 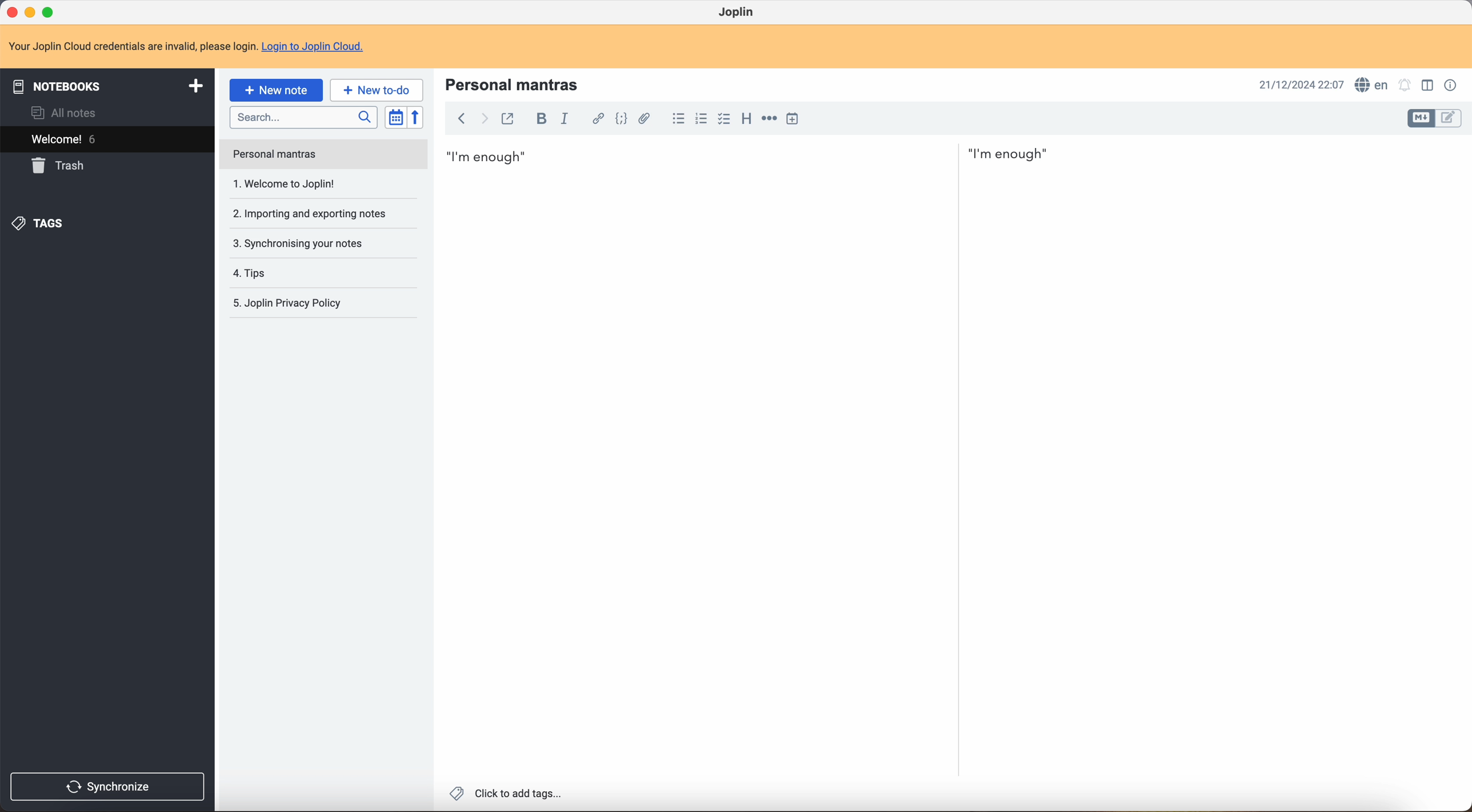 I want to click on search bar, so click(x=305, y=118).